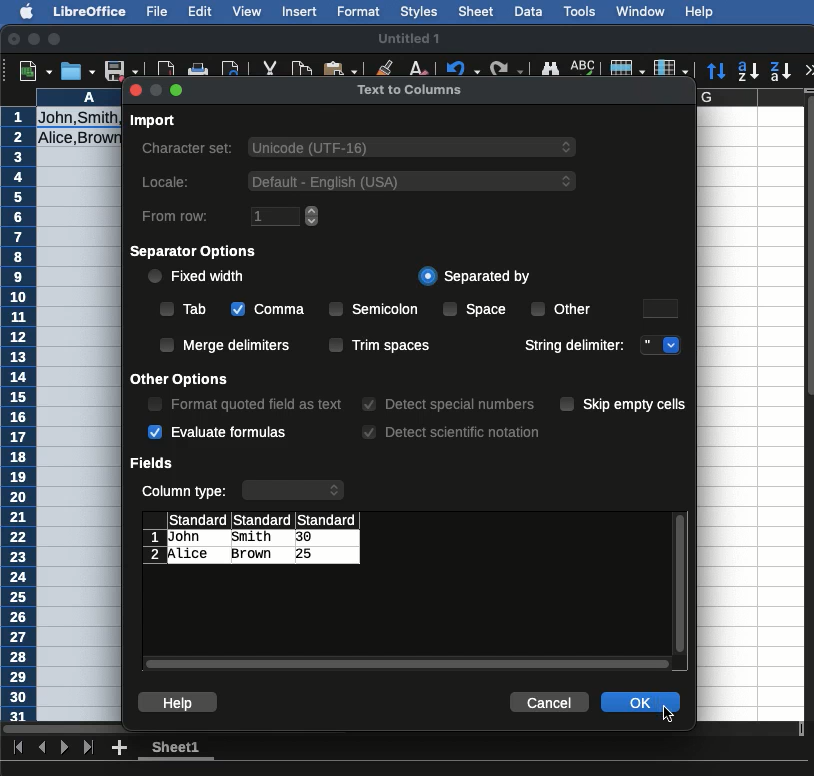  I want to click on Comma, so click(268, 311).